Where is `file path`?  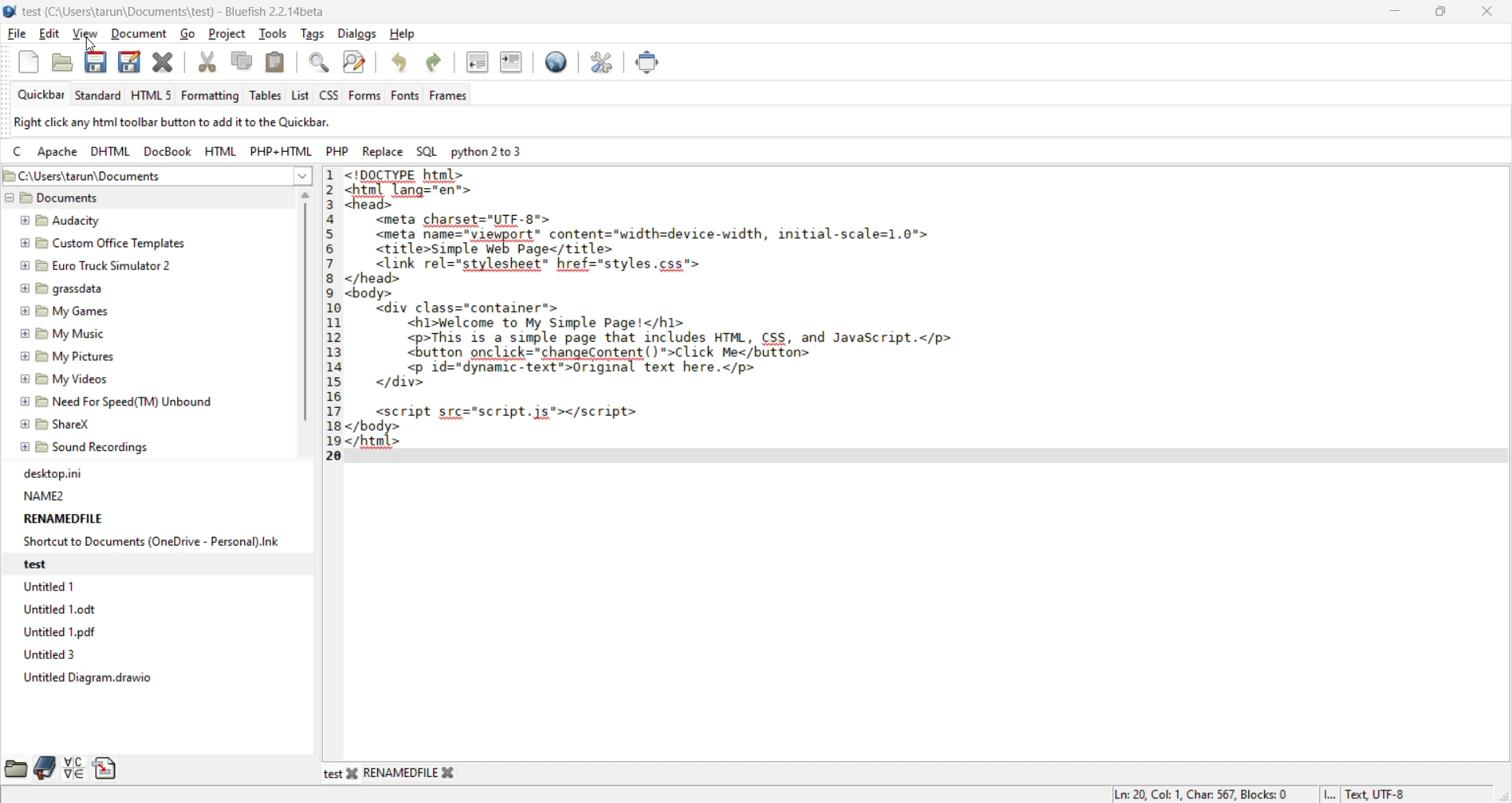
file path is located at coordinates (123, 176).